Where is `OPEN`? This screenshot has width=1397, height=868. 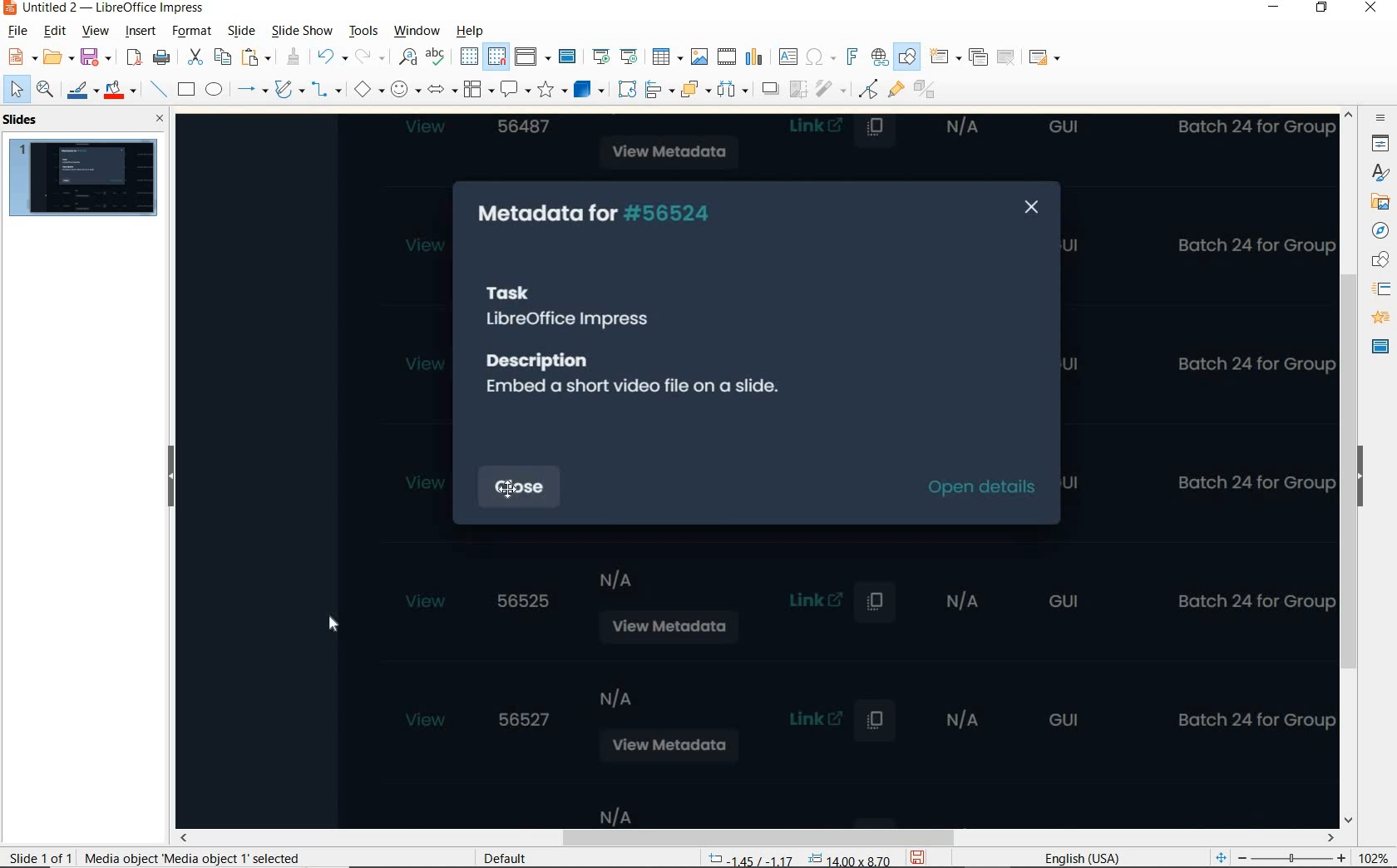 OPEN is located at coordinates (58, 58).